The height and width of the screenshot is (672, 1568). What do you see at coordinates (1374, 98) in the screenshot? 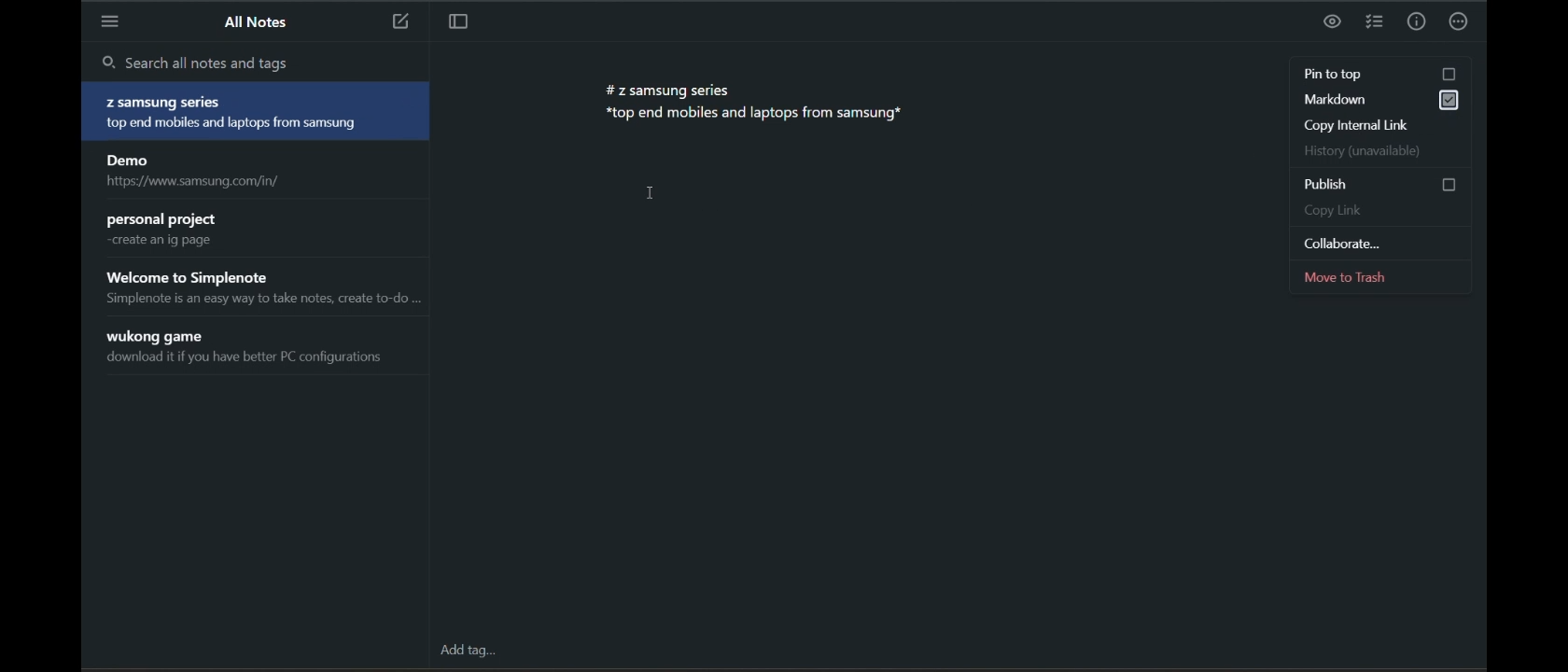
I see `markdown` at bounding box center [1374, 98].